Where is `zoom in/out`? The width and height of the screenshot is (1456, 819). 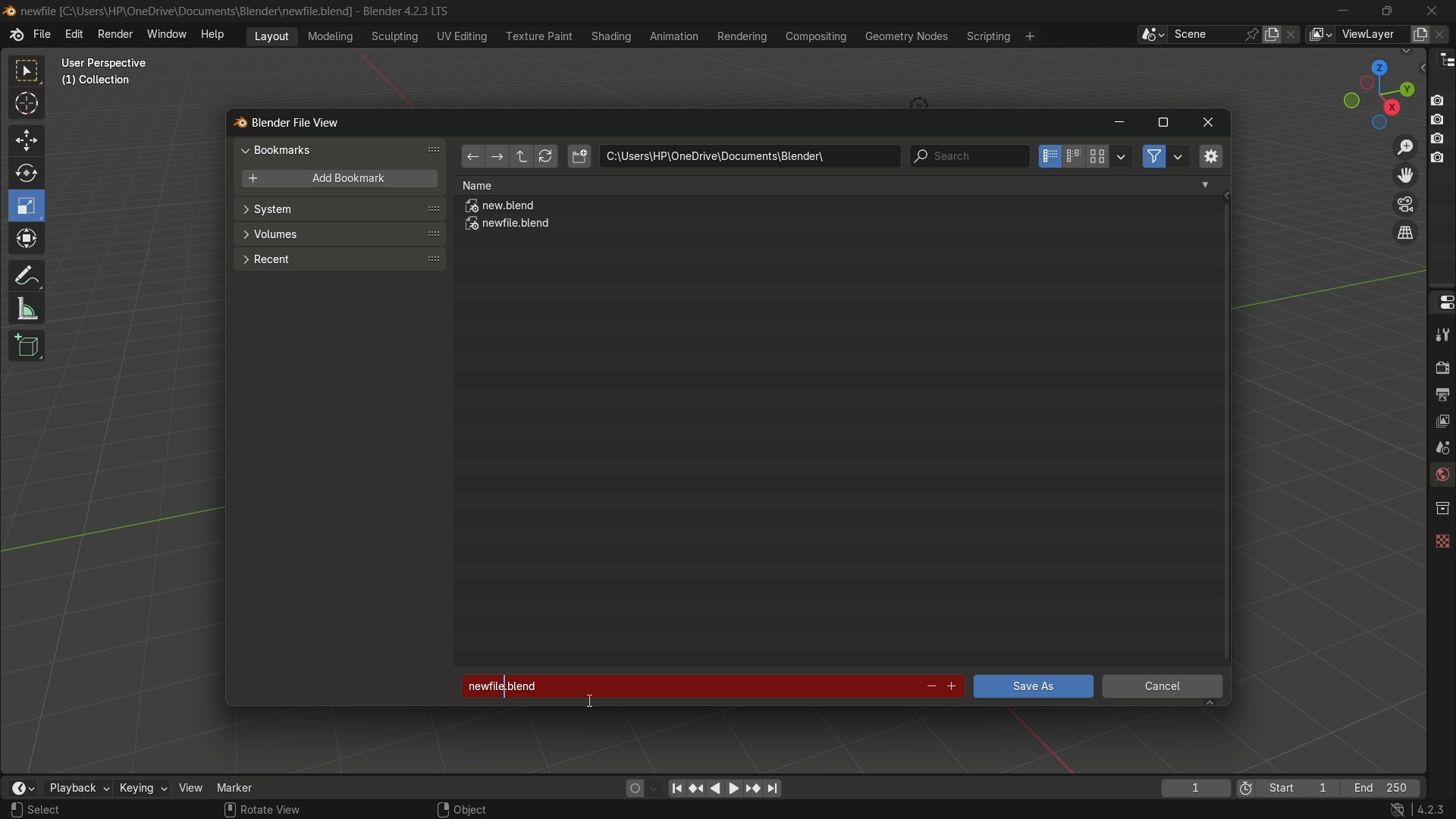 zoom in/out is located at coordinates (1406, 145).